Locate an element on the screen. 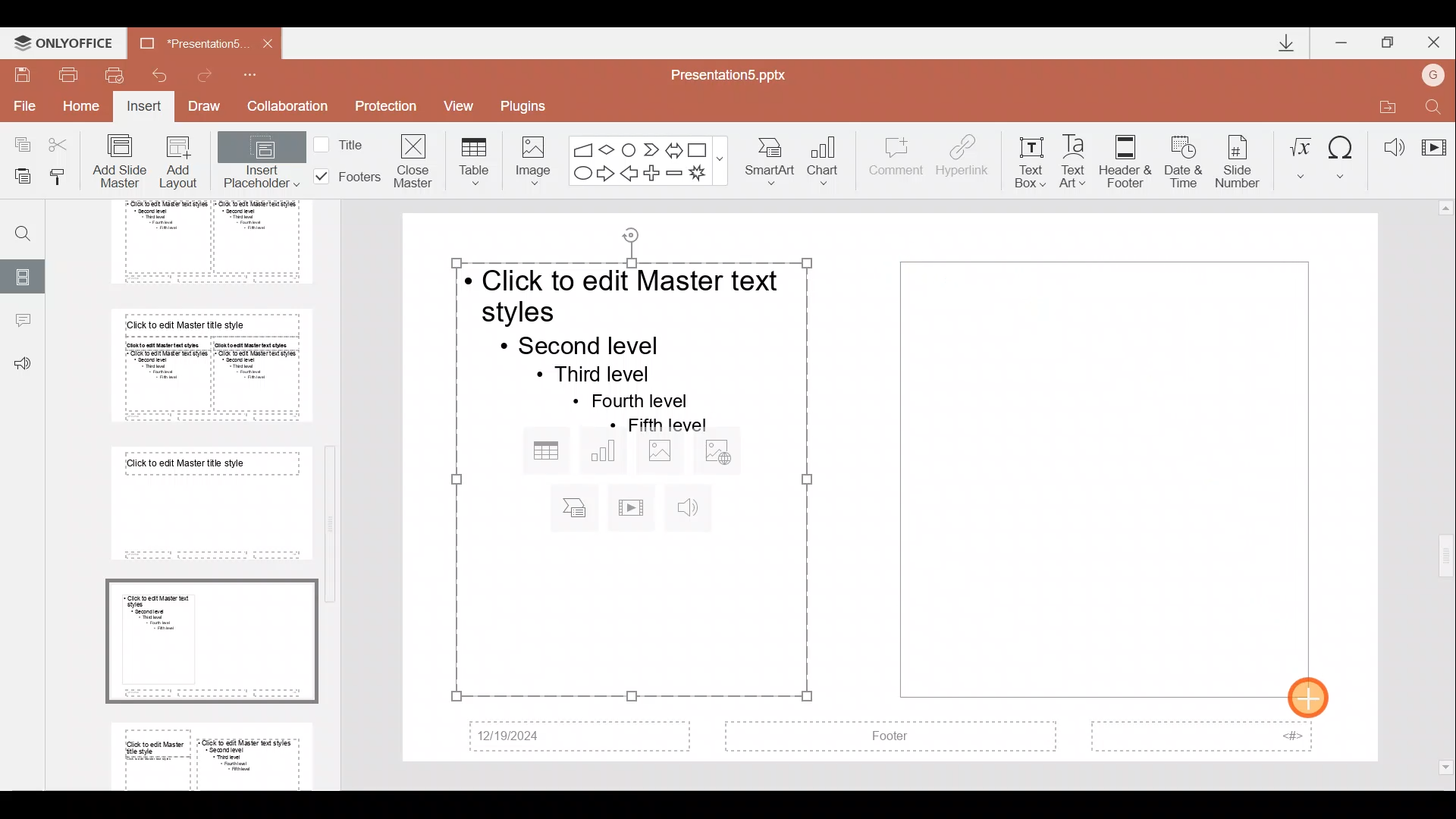 The width and height of the screenshot is (1456, 819). Explosion 1 is located at coordinates (704, 174).